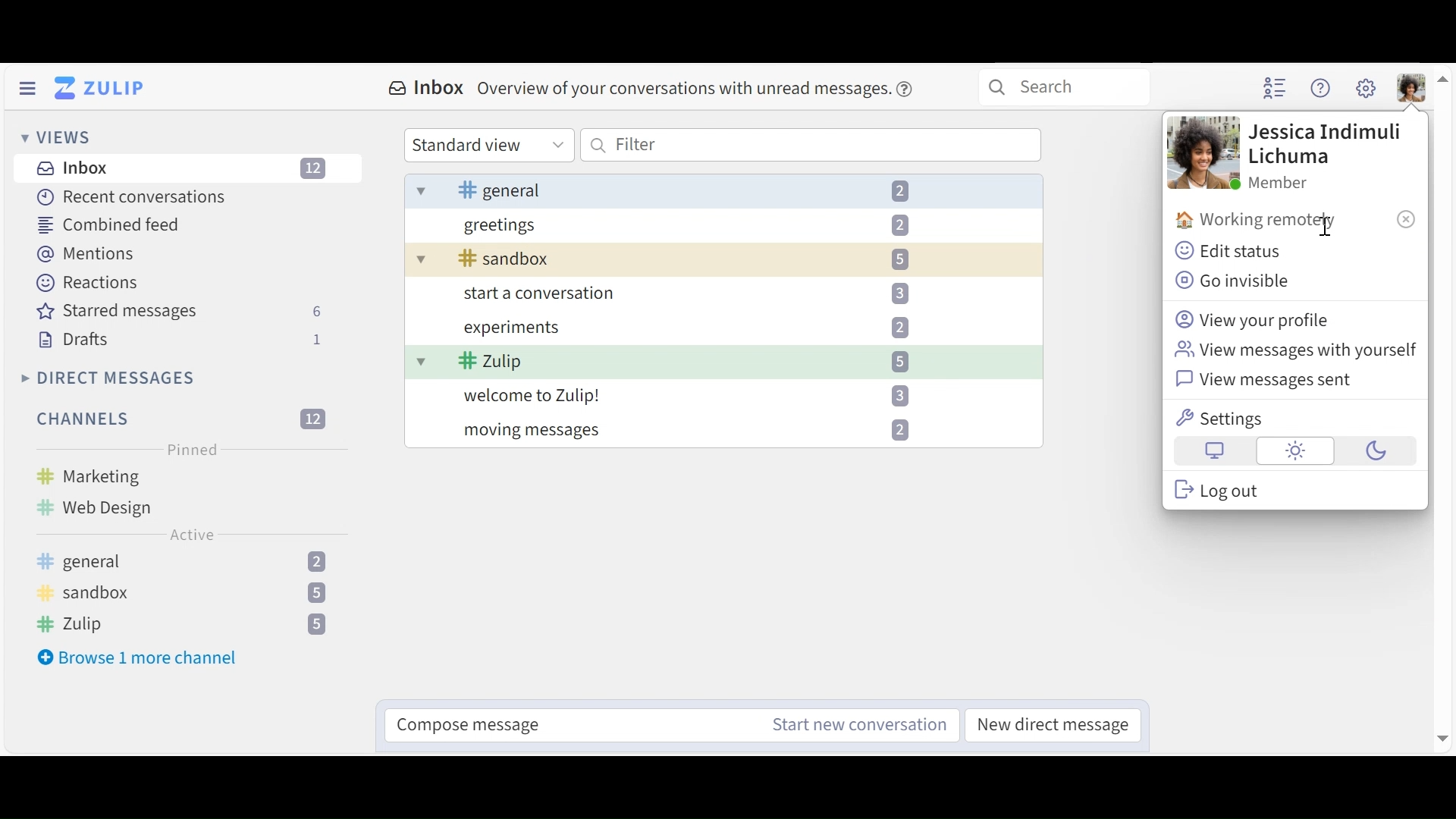 The height and width of the screenshot is (819, 1456). Describe the element at coordinates (1441, 736) in the screenshot. I see `scroll down` at that location.